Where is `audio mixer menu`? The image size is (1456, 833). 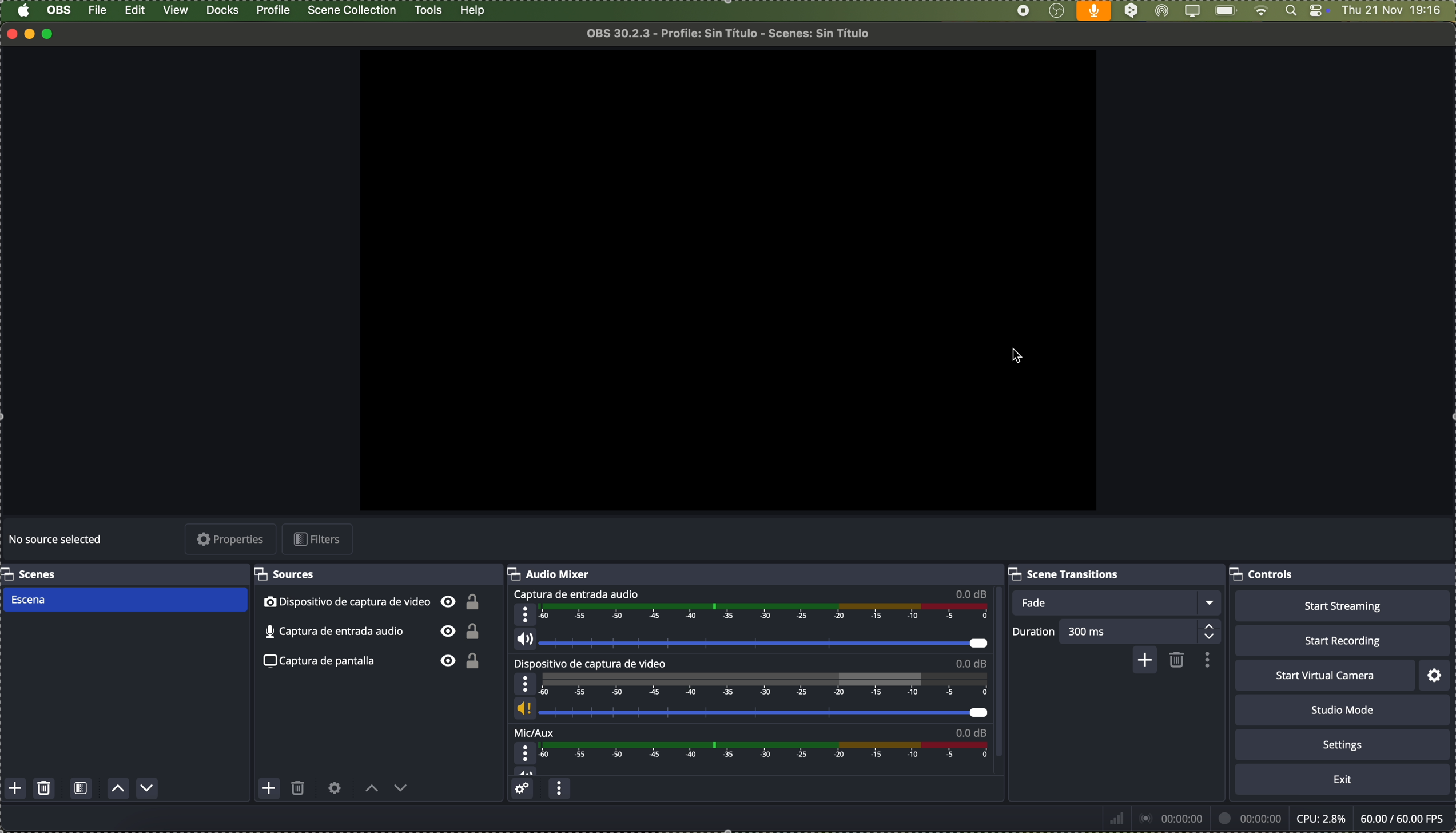
audio mixer menu is located at coordinates (559, 790).